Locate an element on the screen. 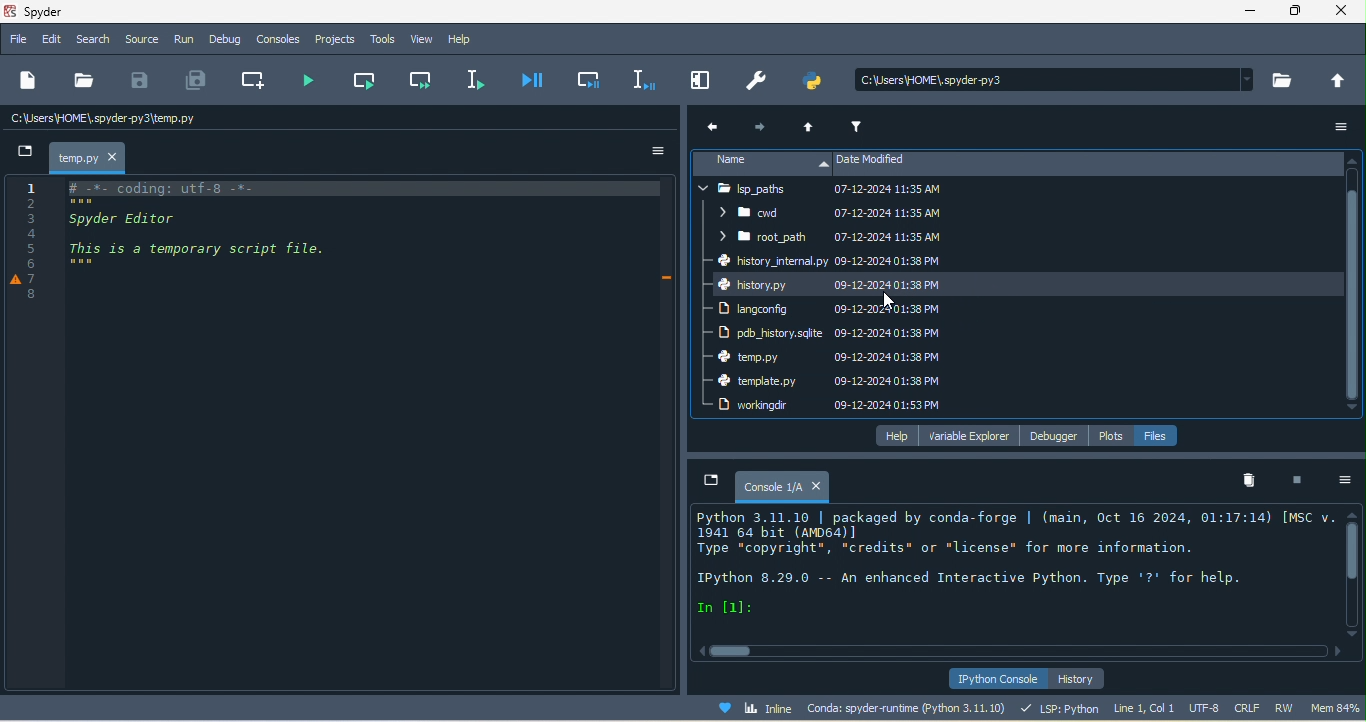 This screenshot has width=1366, height=722. text is located at coordinates (216, 269).